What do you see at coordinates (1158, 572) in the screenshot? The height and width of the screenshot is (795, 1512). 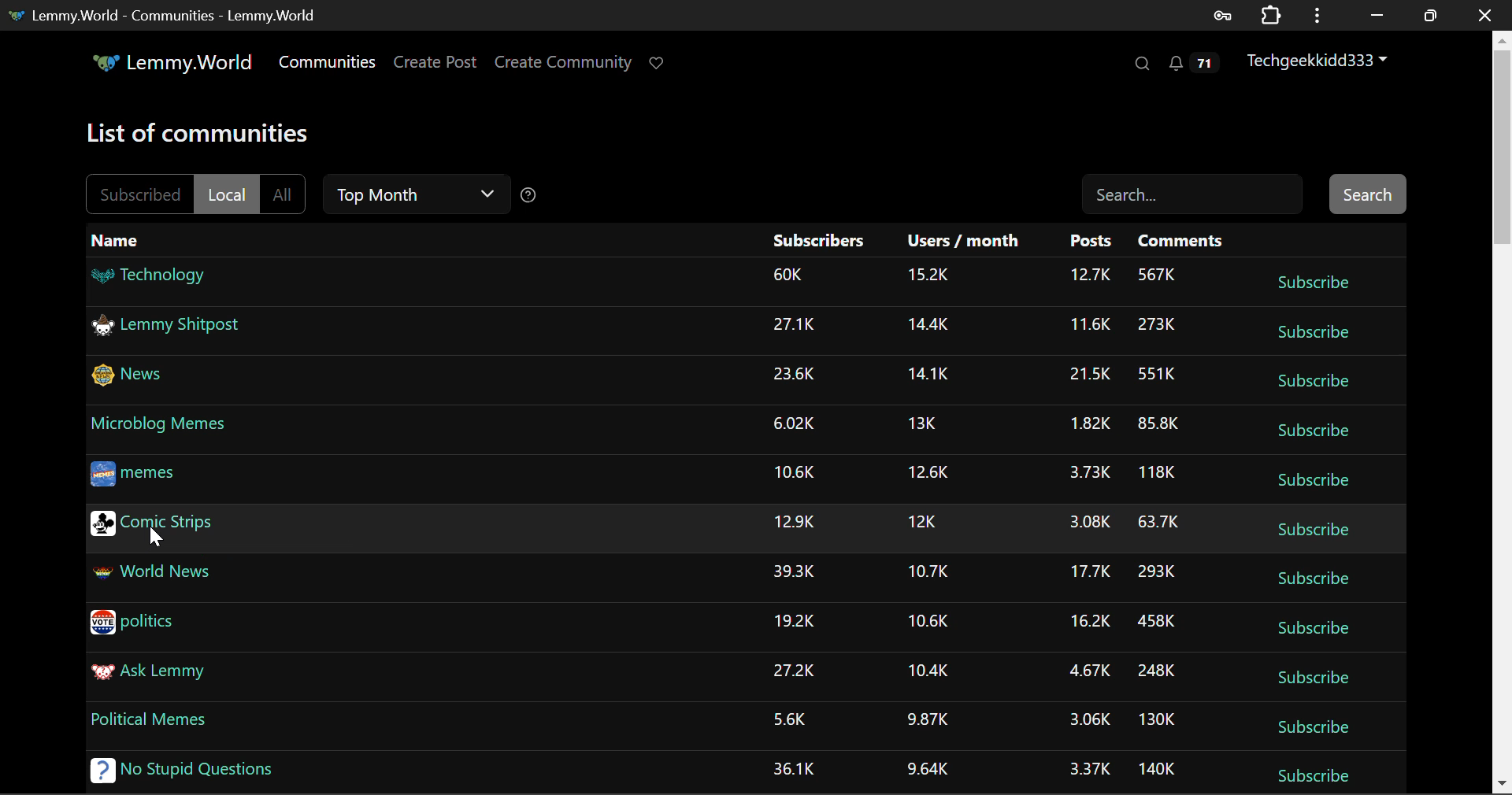 I see `293K` at bounding box center [1158, 572].